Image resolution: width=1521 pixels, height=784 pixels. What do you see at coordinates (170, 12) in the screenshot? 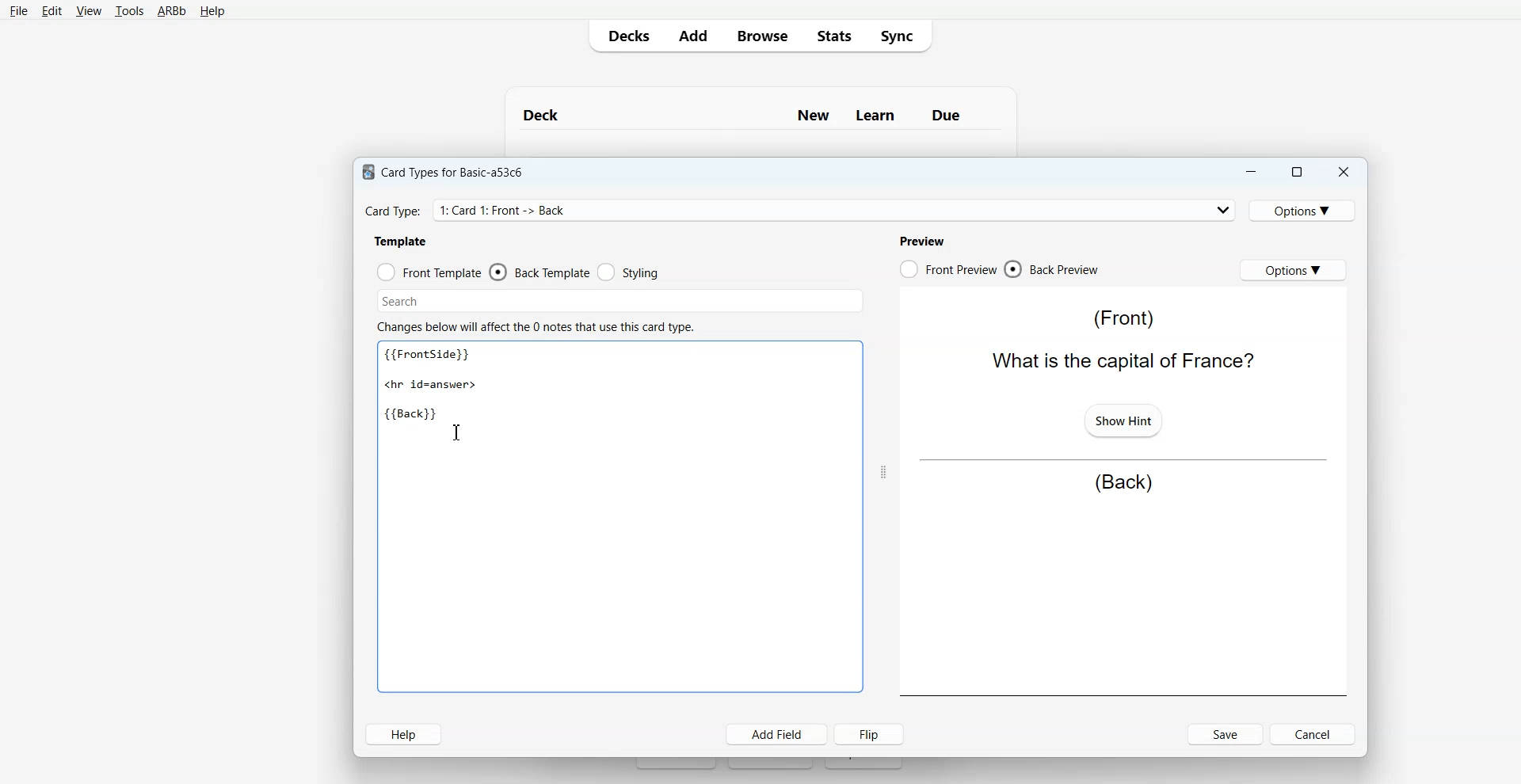
I see `ARBb` at bounding box center [170, 12].